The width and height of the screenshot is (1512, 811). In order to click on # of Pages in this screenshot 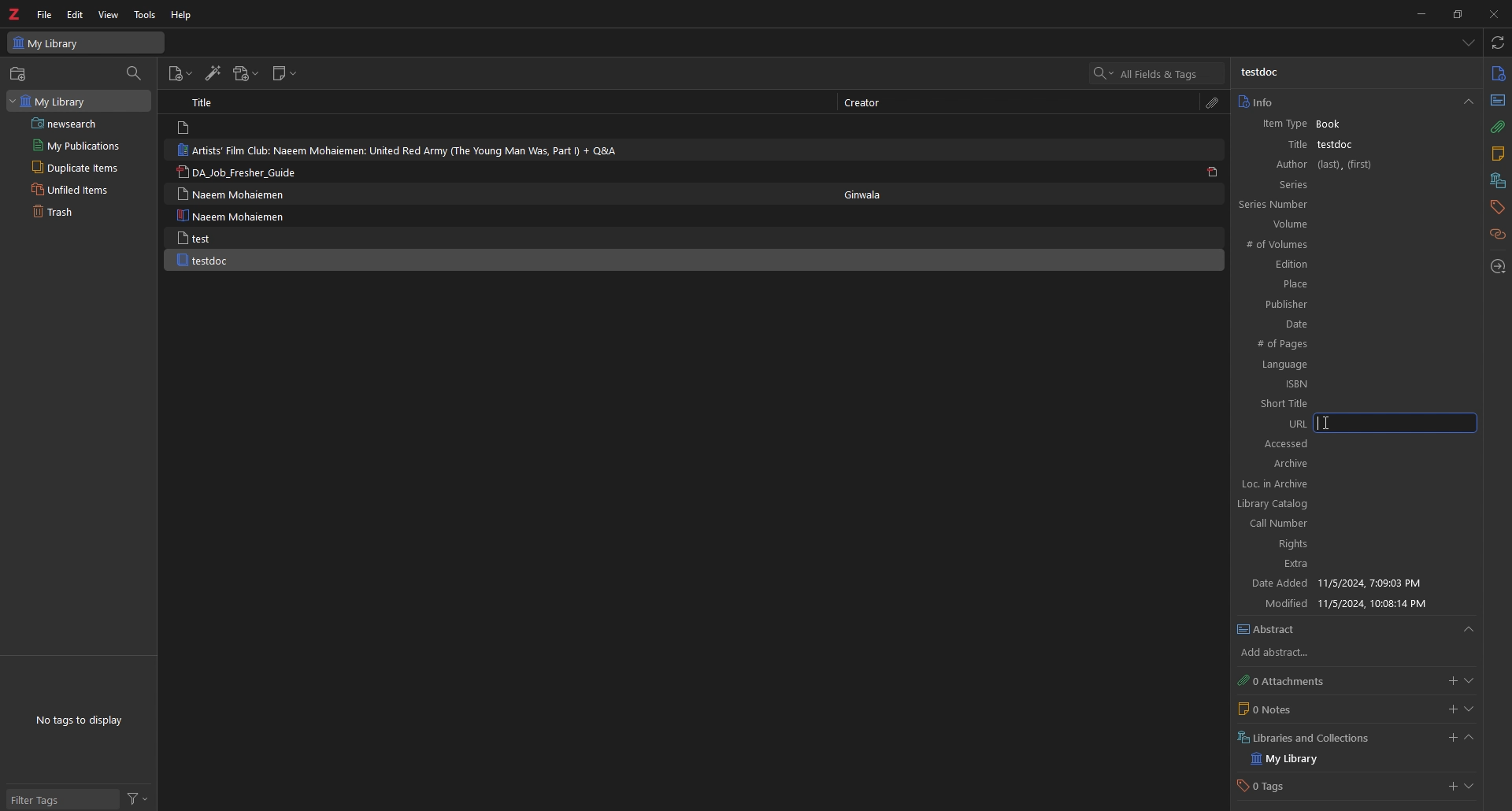, I will do `click(1332, 344)`.